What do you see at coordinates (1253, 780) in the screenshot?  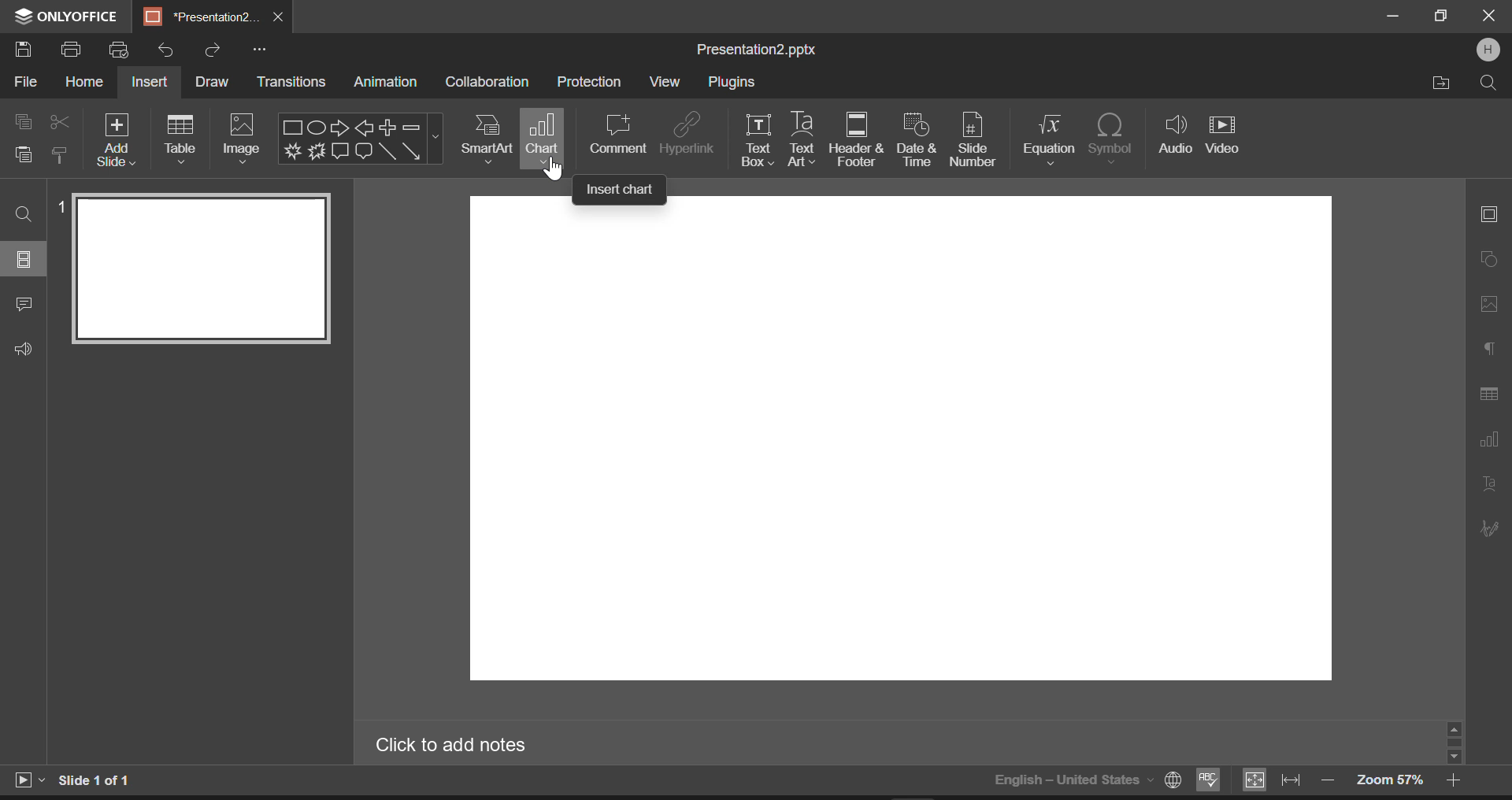 I see `Fit to slide` at bounding box center [1253, 780].